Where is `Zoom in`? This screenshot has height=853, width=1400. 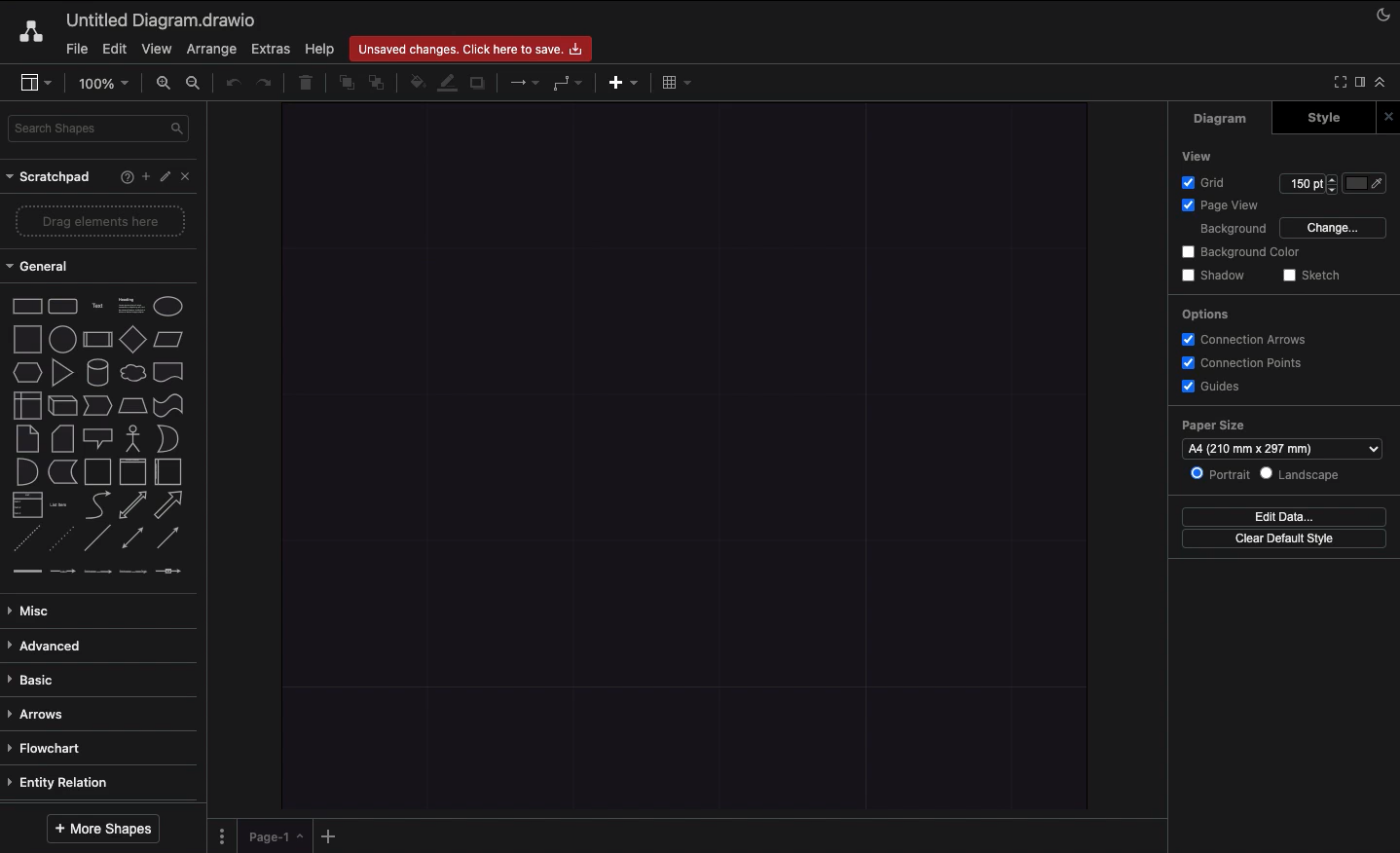 Zoom in is located at coordinates (162, 83).